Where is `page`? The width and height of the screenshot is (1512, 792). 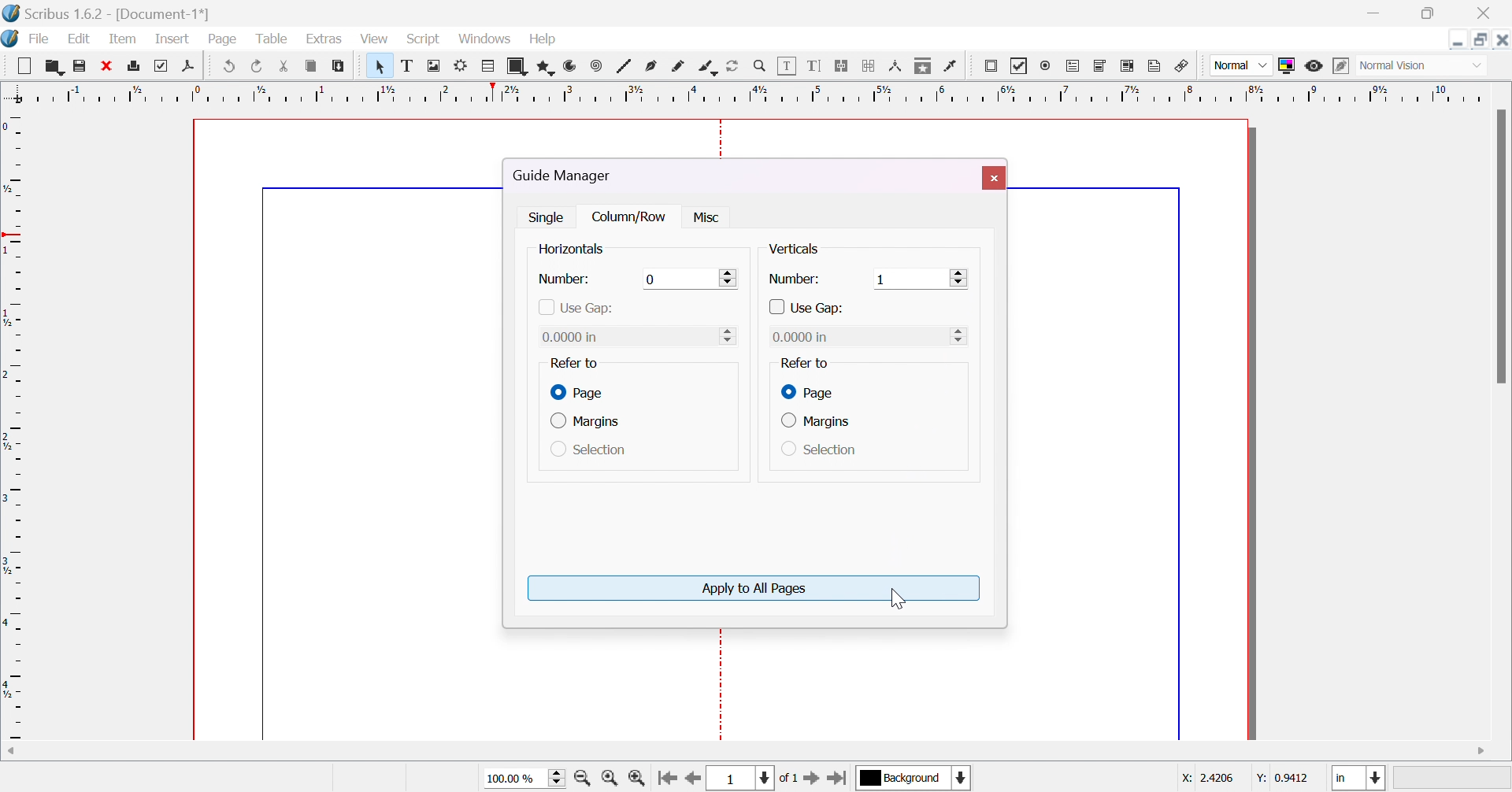 page is located at coordinates (806, 391).